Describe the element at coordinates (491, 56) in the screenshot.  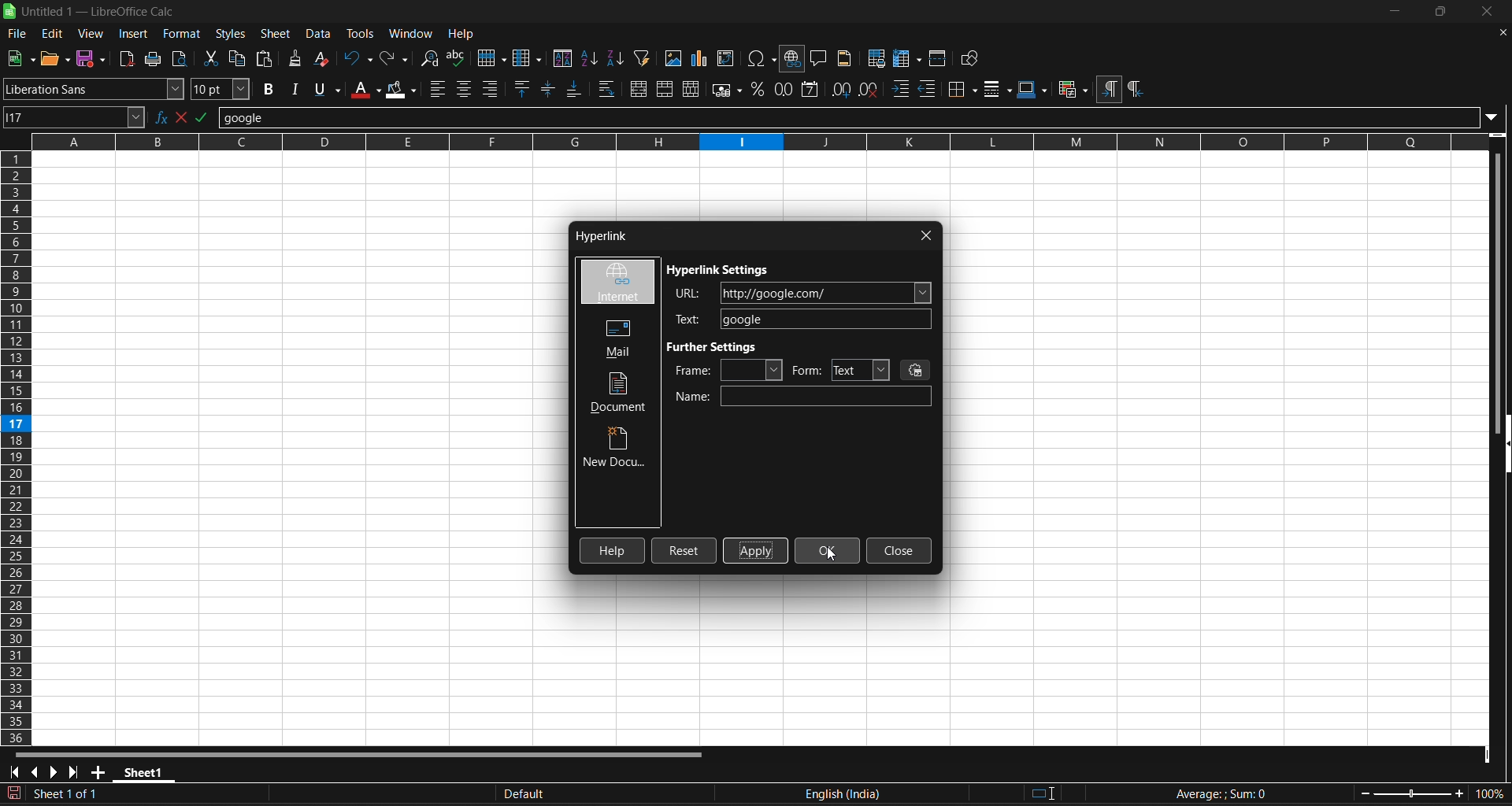
I see `row` at that location.